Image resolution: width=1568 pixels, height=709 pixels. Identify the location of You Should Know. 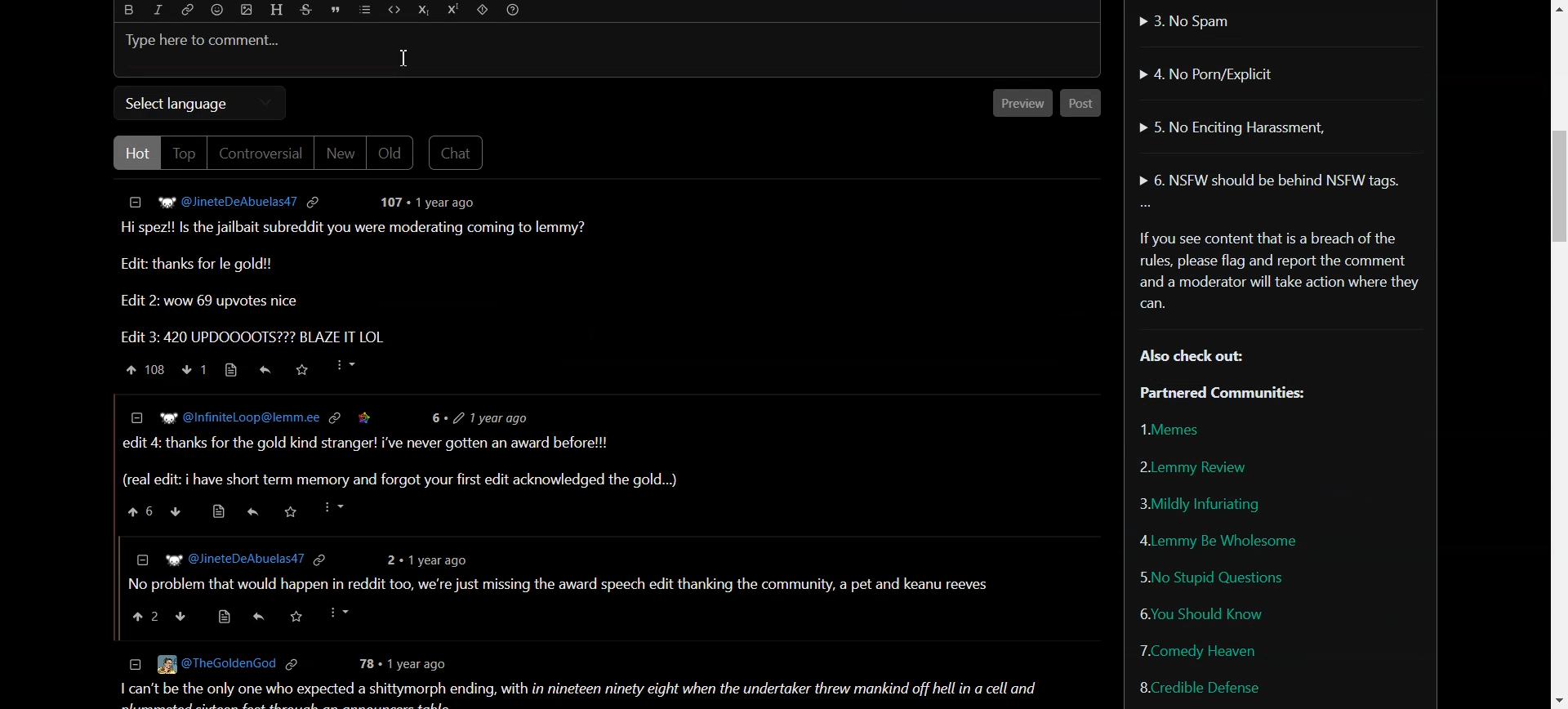
(1200, 612).